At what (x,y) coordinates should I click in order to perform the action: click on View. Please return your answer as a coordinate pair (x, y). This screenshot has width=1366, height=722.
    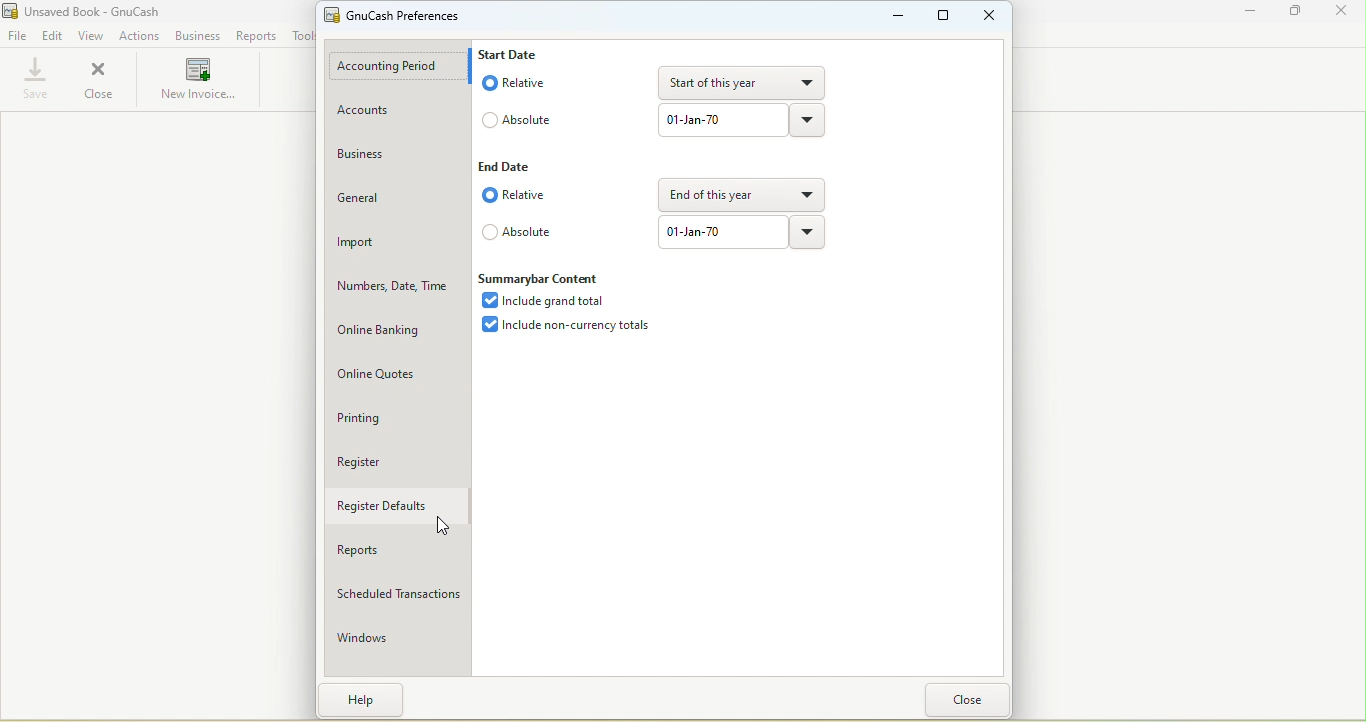
    Looking at the image, I should click on (92, 36).